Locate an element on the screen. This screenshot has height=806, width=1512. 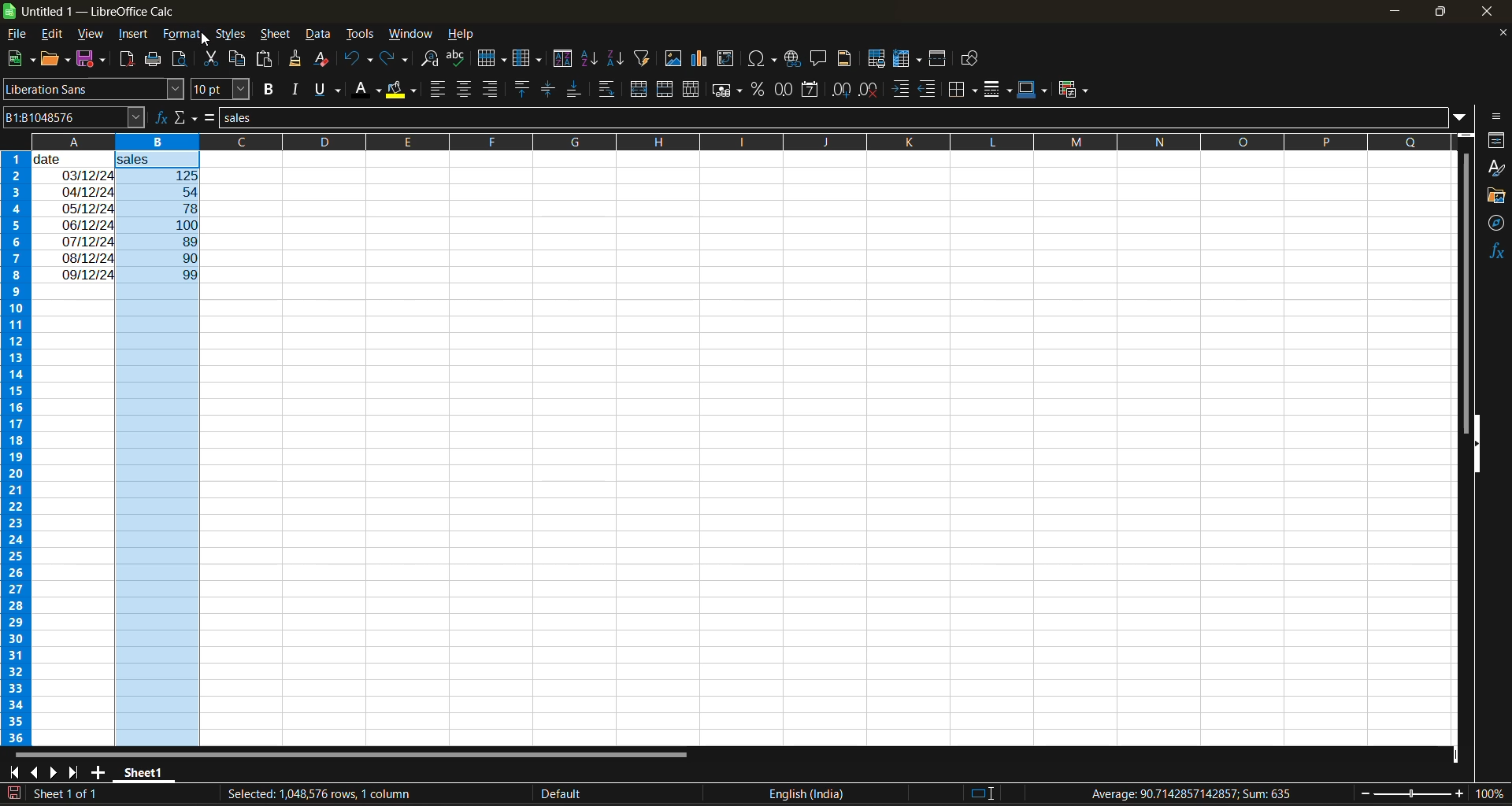
tools is located at coordinates (359, 33).